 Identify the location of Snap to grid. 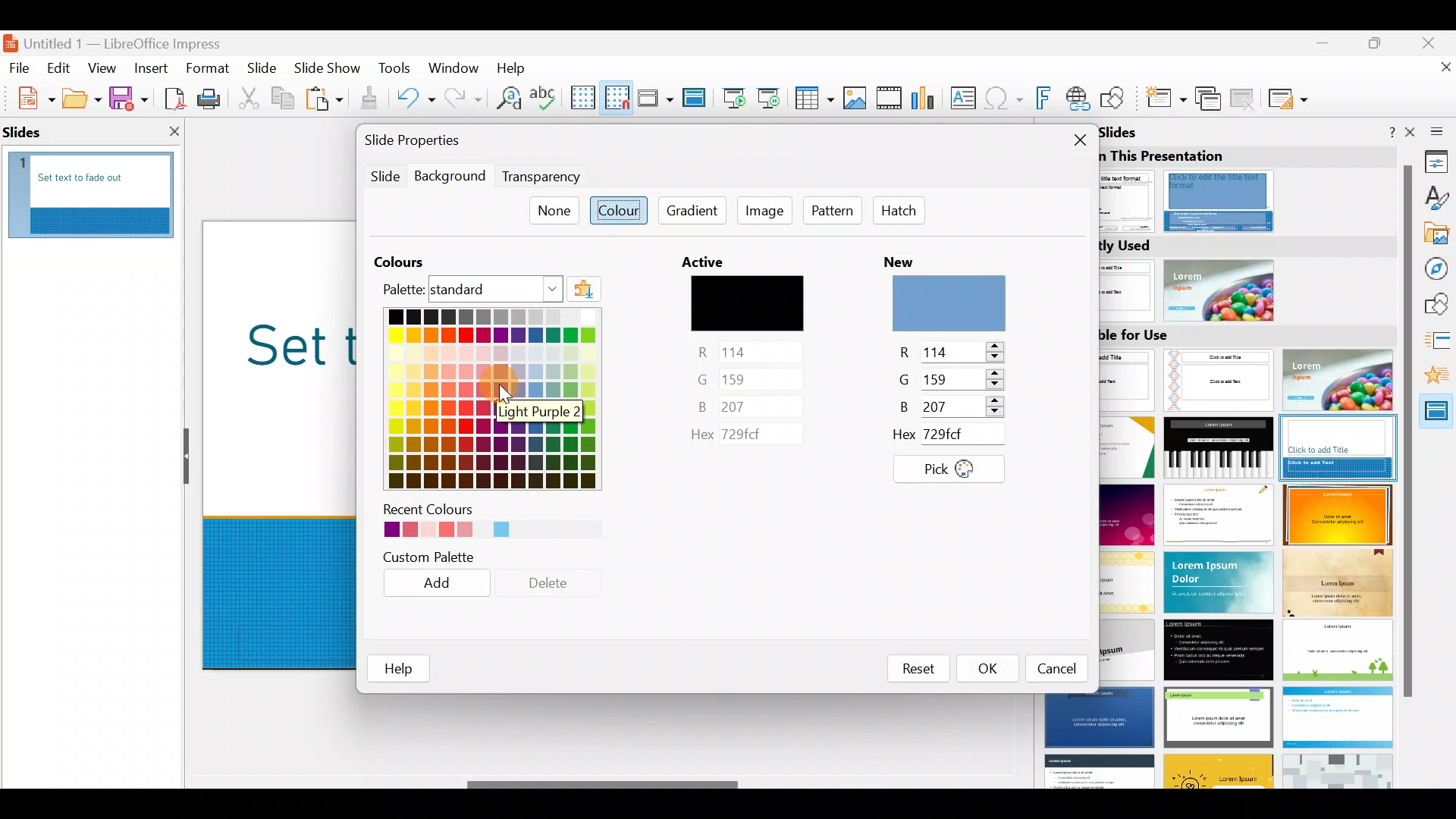
(614, 97).